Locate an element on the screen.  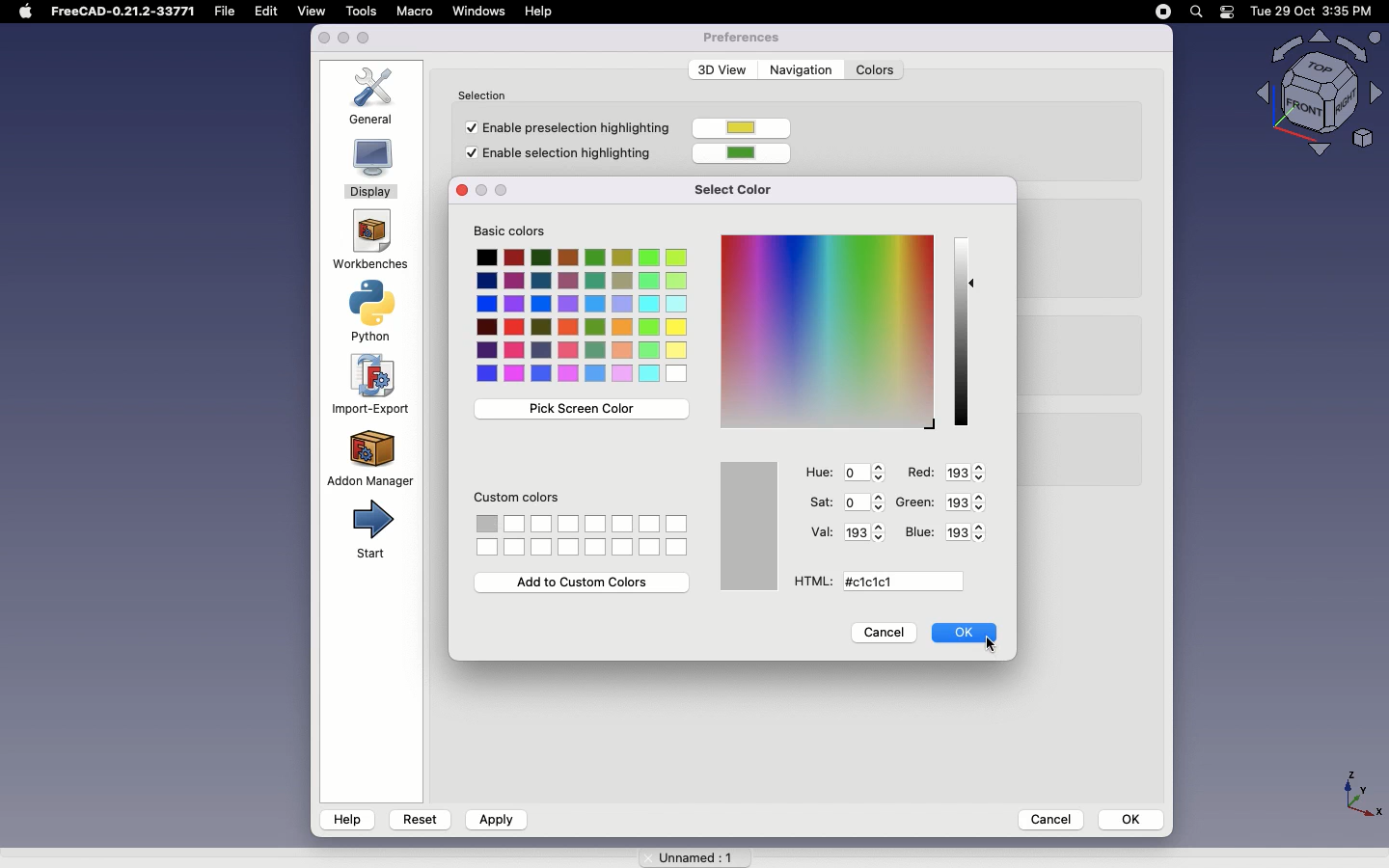
HTML is located at coordinates (809, 582).